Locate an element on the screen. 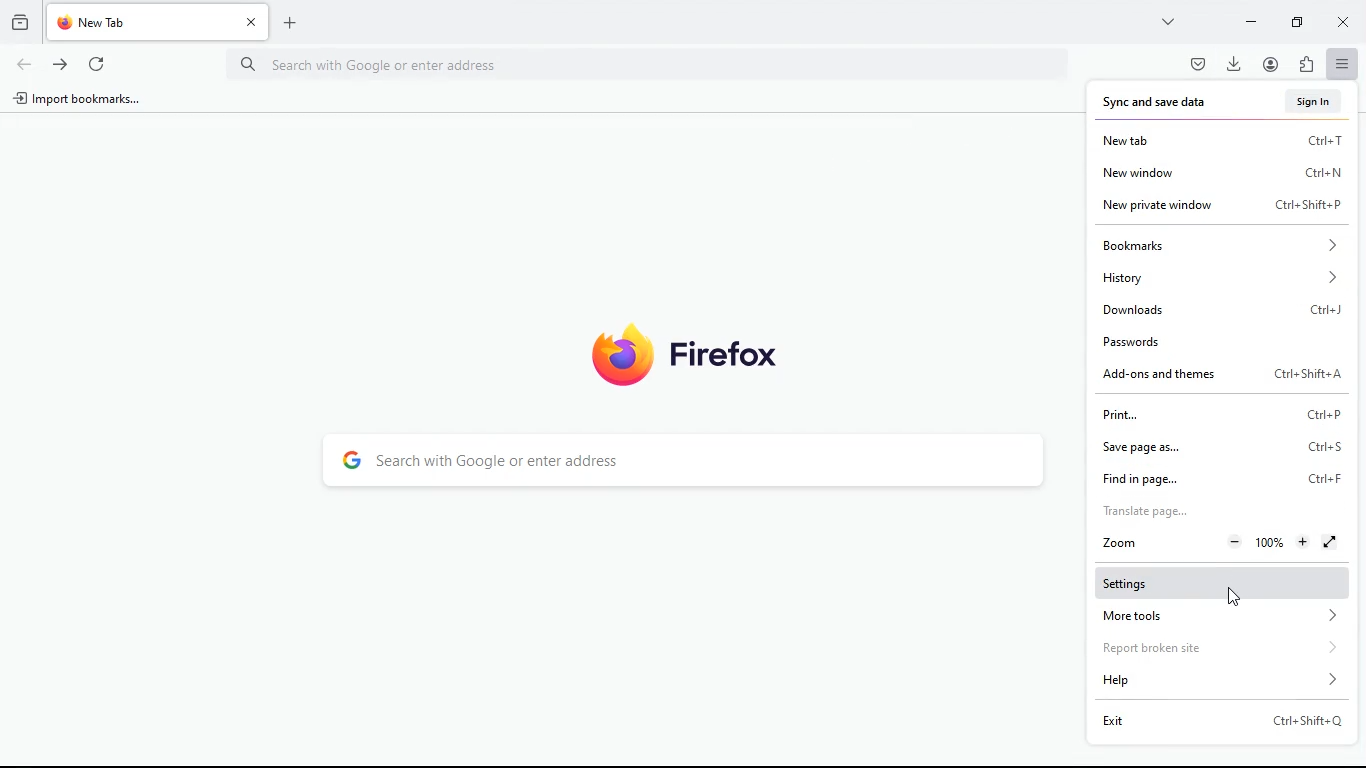 Image resolution: width=1366 pixels, height=768 pixels. translate page is located at coordinates (1190, 511).